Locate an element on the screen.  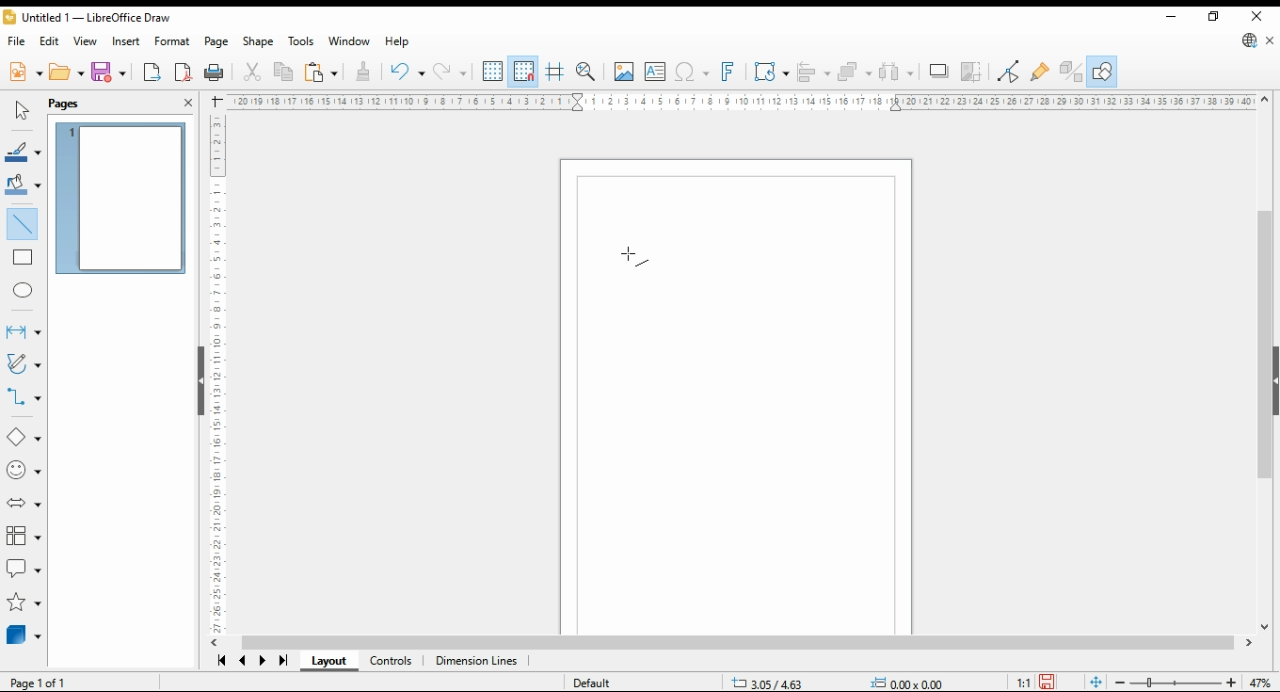
select is located at coordinates (22, 110).